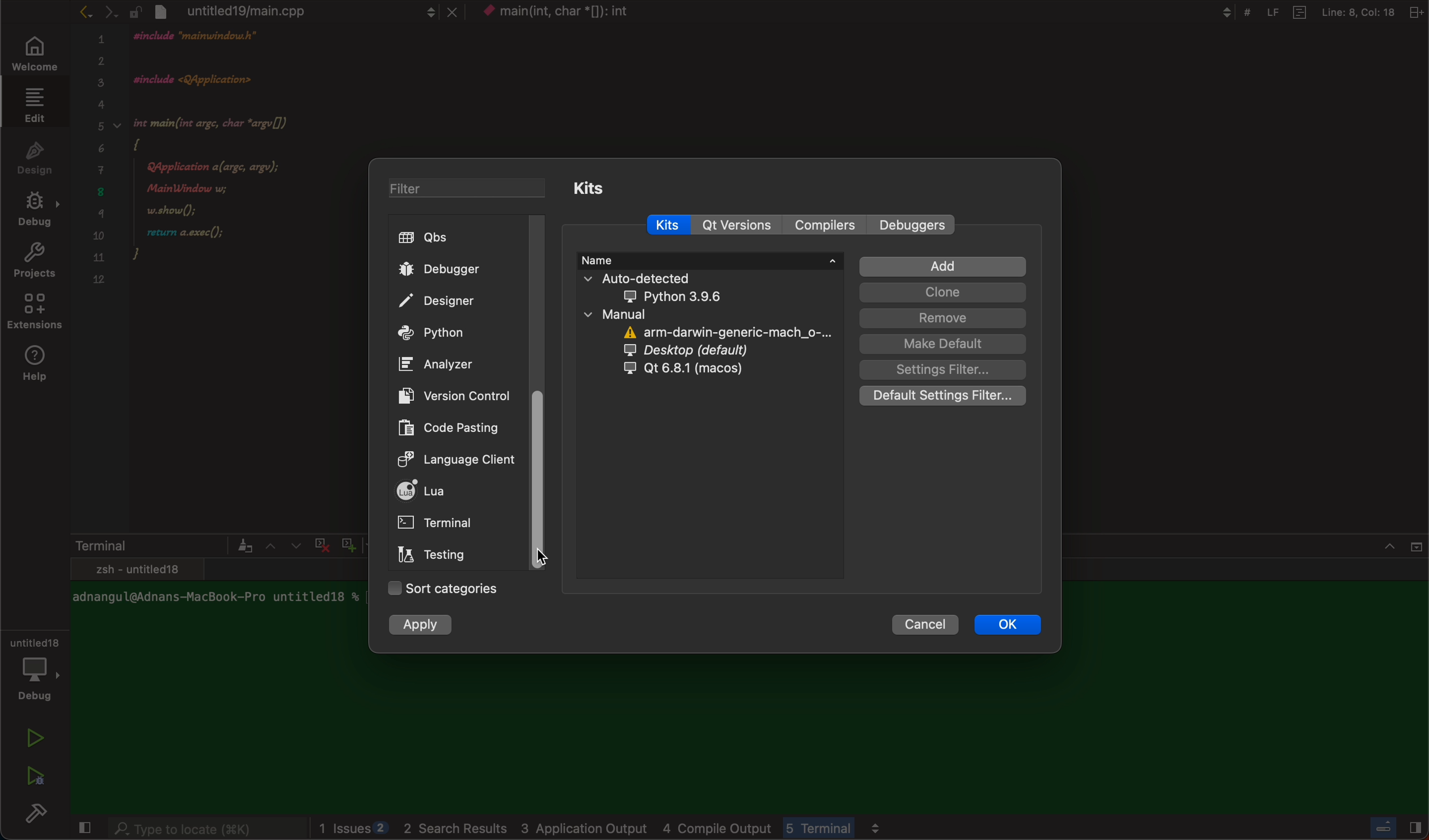 This screenshot has height=840, width=1429. Describe the element at coordinates (450, 395) in the screenshot. I see `version controls ` at that location.